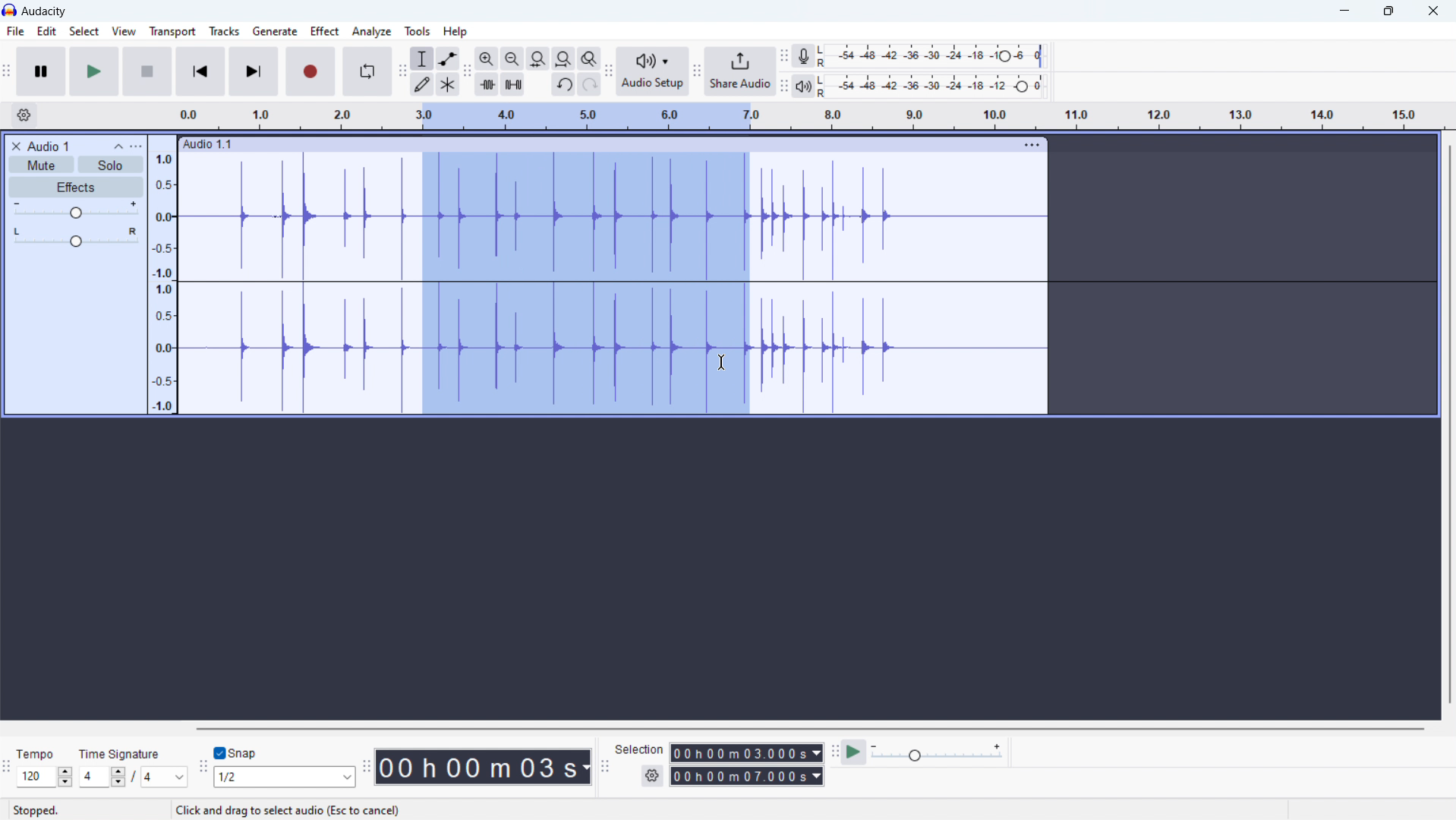  I want to click on play, so click(94, 71).